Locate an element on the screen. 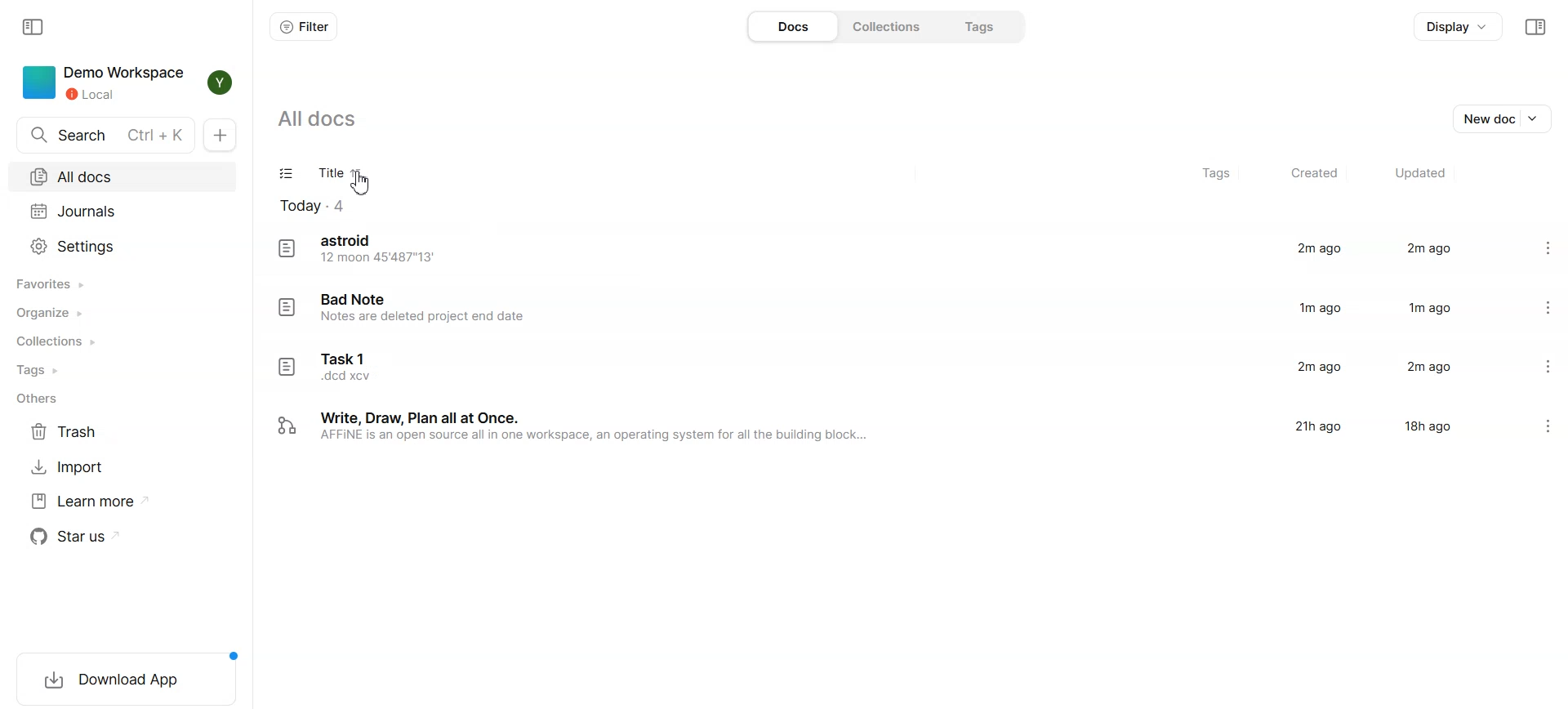 This screenshot has height=709, width=1568. astroid is located at coordinates (352, 239).